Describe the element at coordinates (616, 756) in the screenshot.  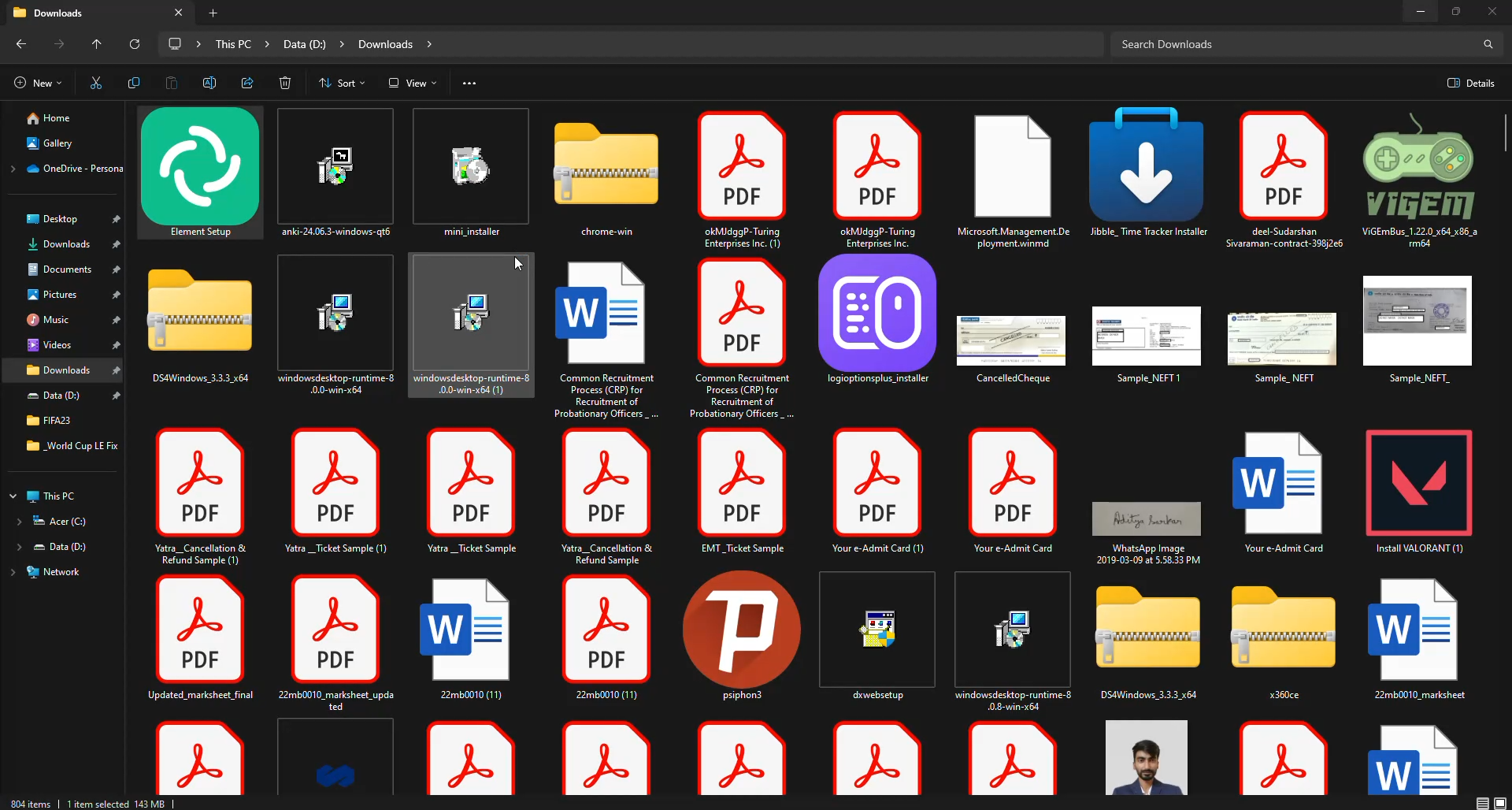
I see `file` at that location.